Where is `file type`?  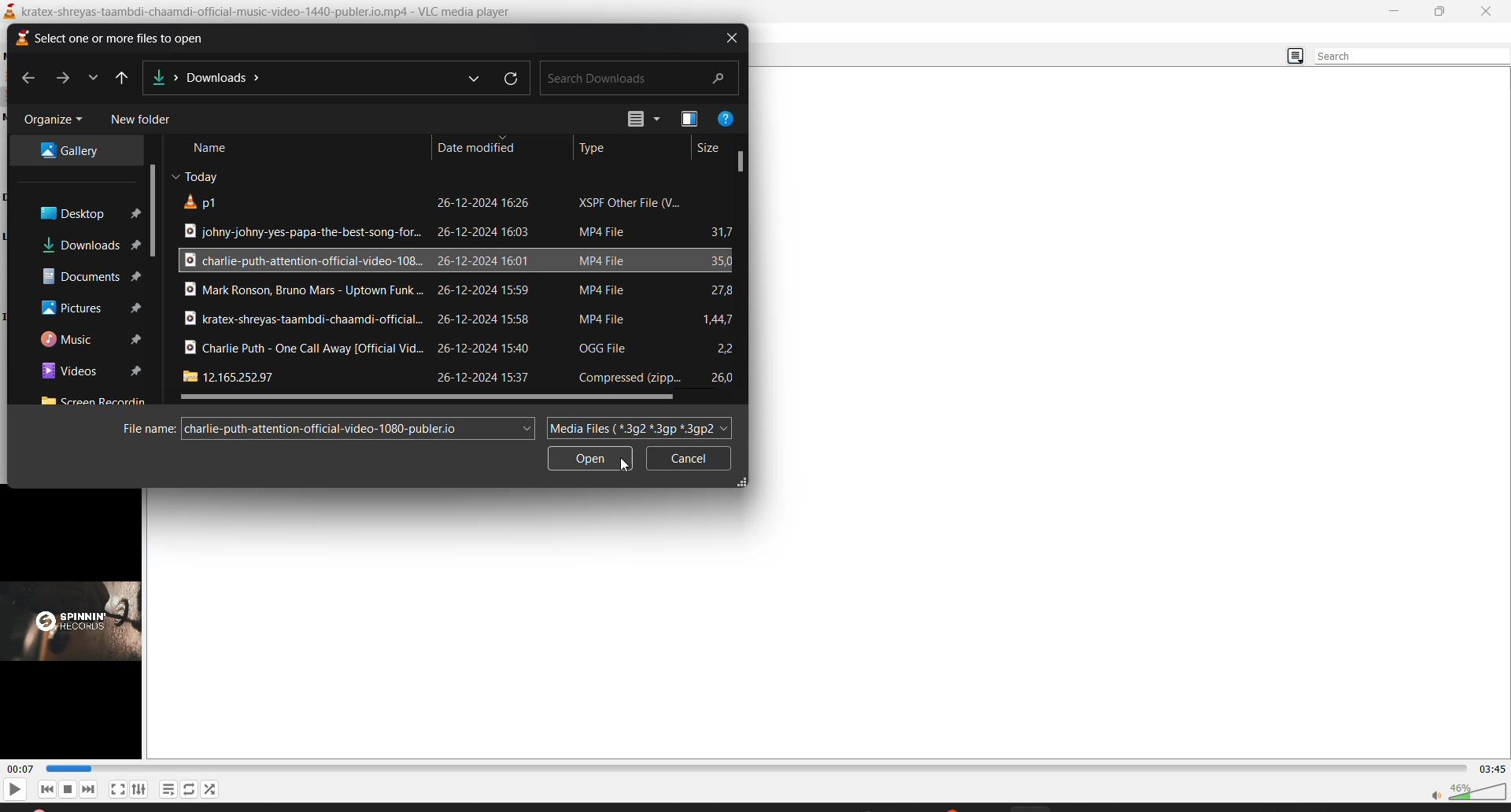 file type is located at coordinates (611, 319).